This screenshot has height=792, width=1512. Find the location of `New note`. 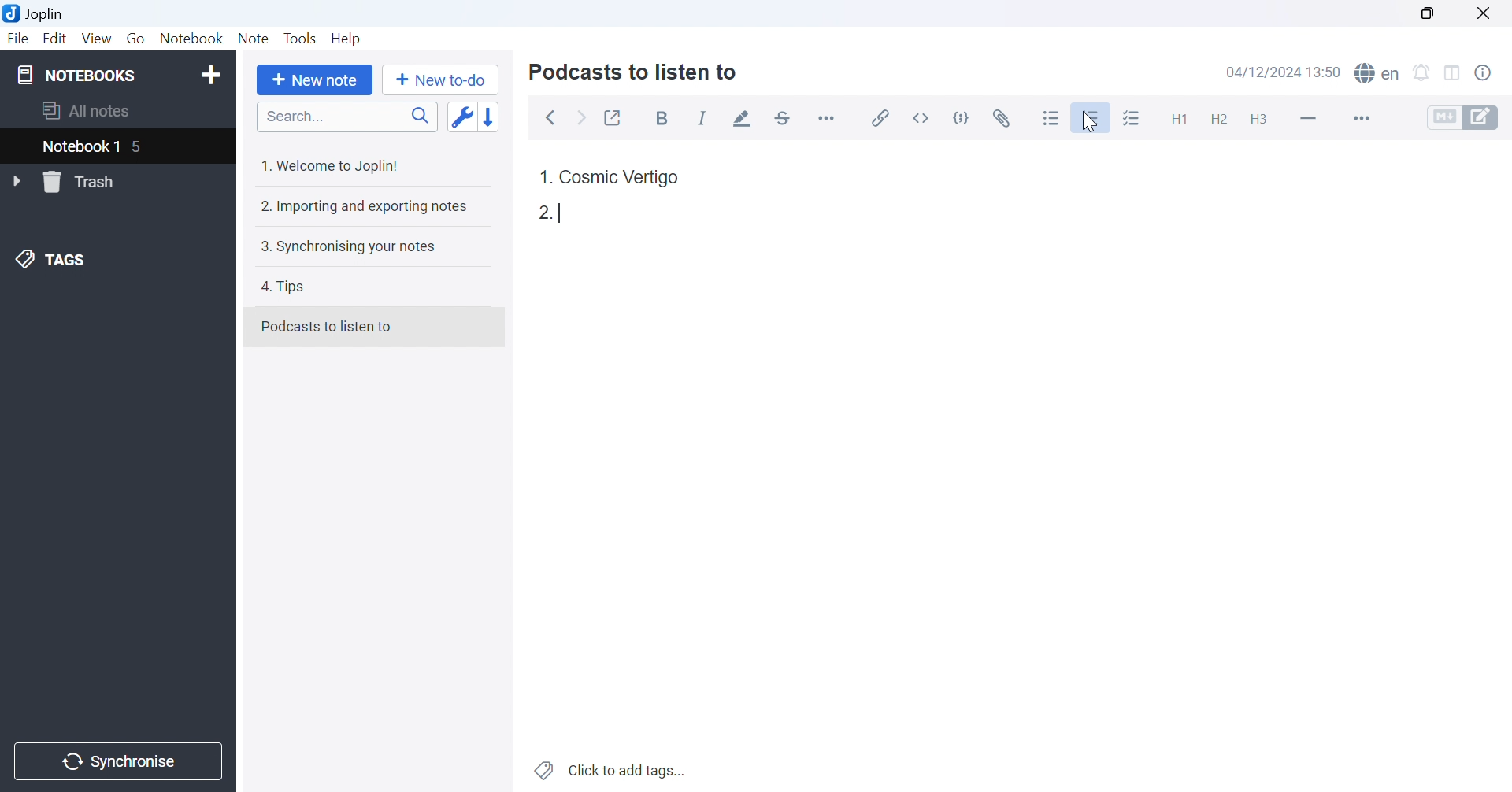

New note is located at coordinates (318, 81).